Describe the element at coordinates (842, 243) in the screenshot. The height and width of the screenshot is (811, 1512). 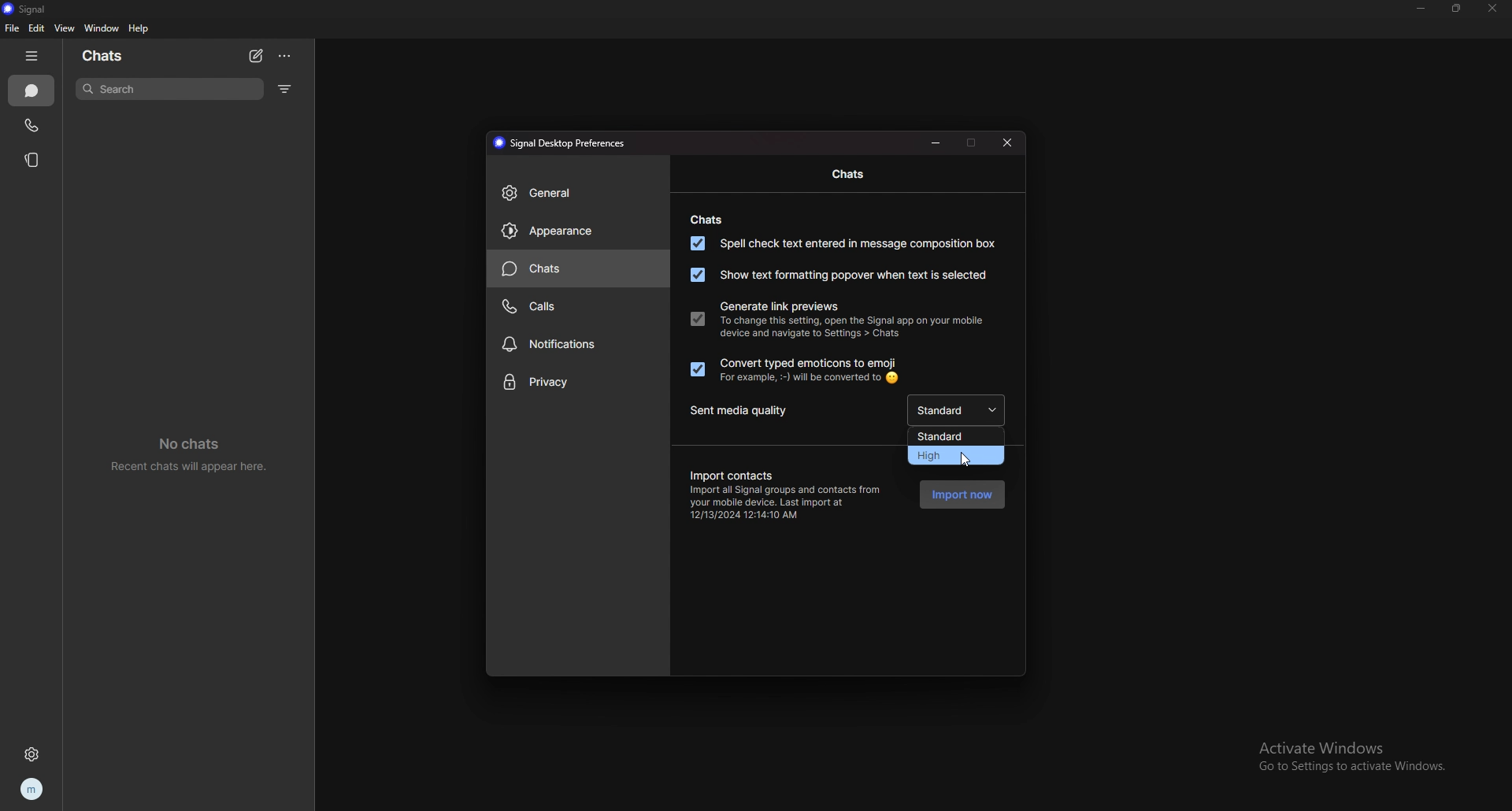
I see `spell check text entered in message composition box` at that location.